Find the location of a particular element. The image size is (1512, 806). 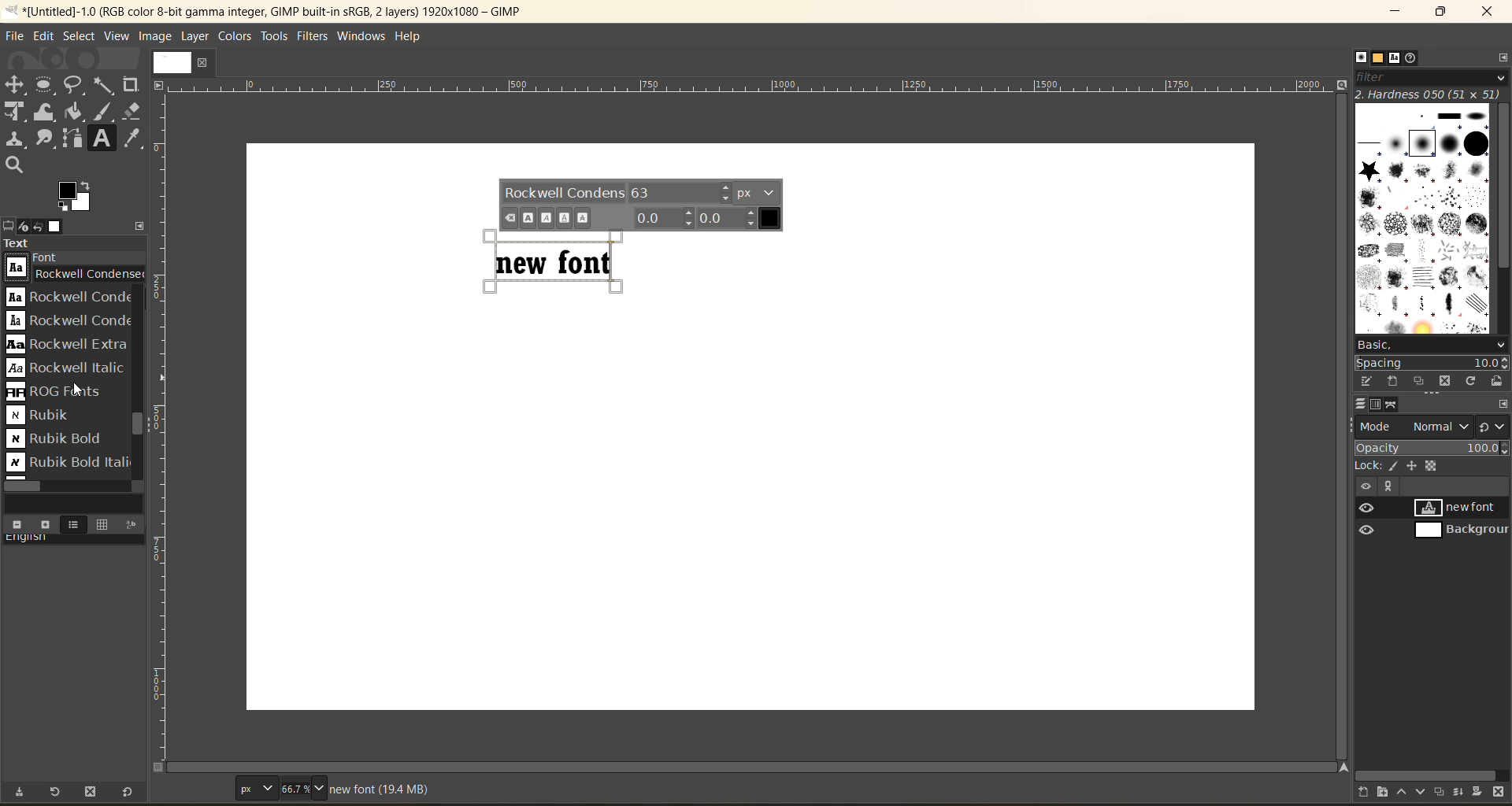

page type is located at coordinates (254, 786).